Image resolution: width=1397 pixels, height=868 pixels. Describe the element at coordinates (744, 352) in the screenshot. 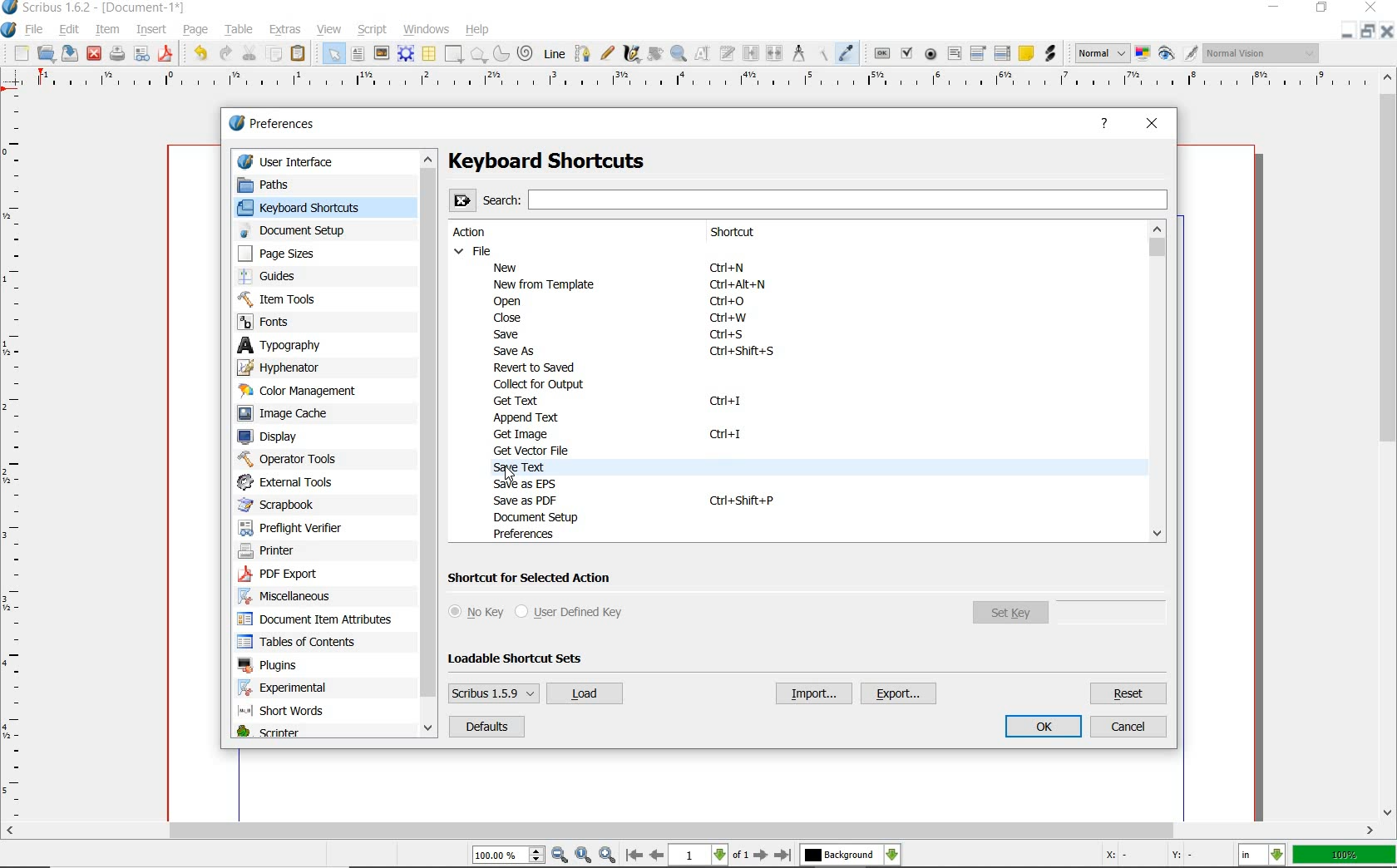

I see `Ctrl + Shift + S` at that location.